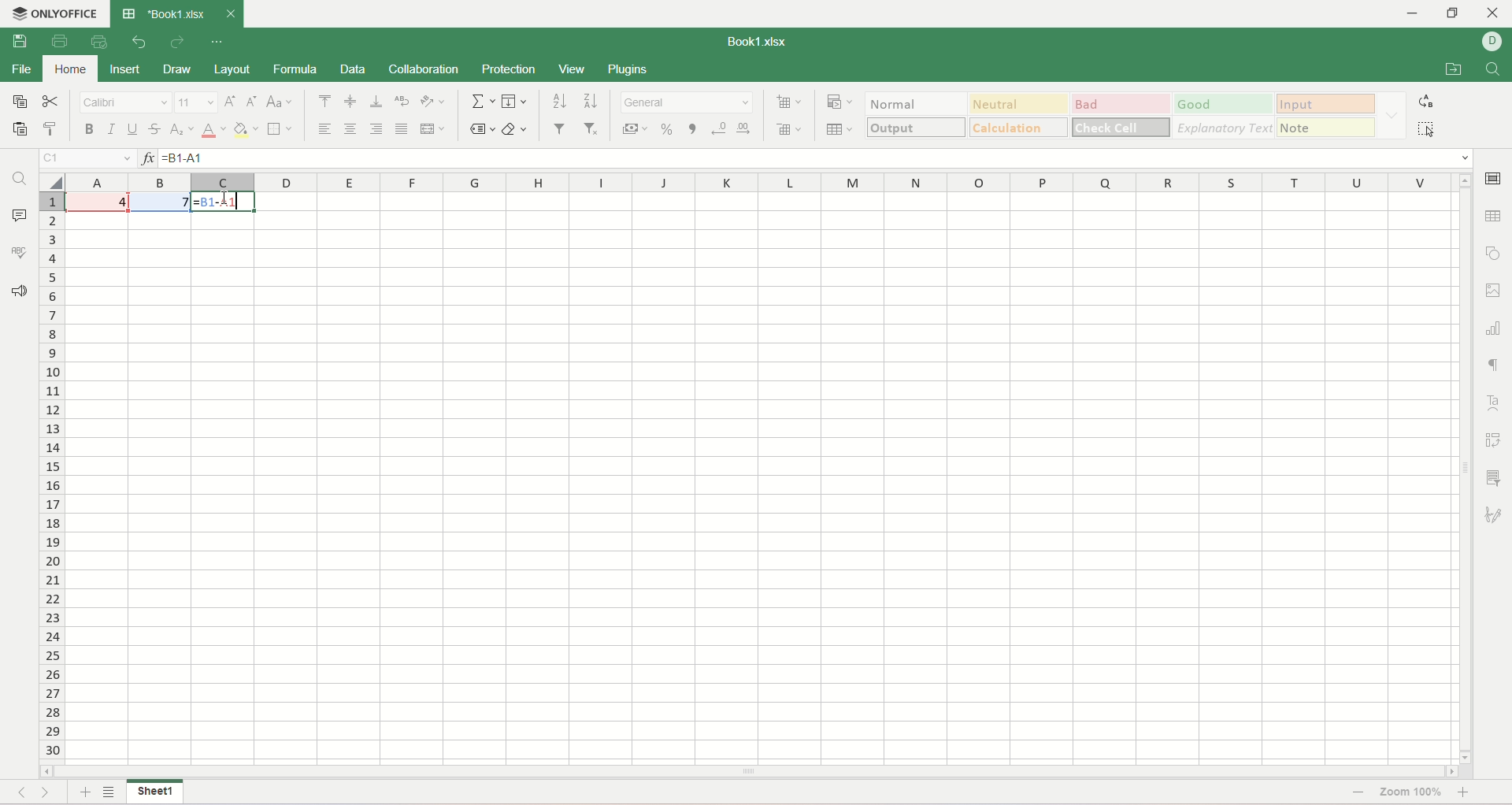  I want to click on cut, so click(51, 100).